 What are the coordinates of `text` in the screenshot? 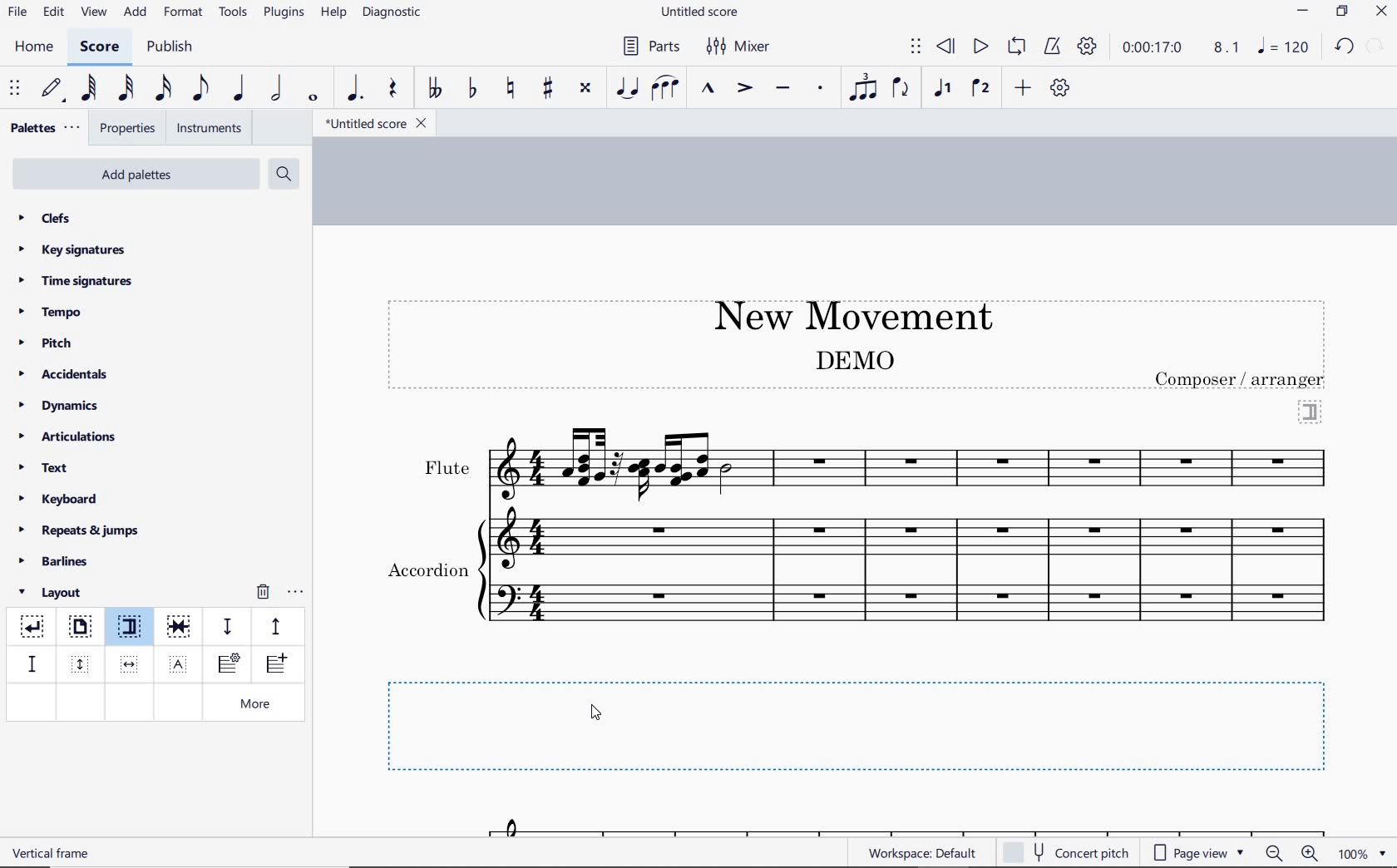 It's located at (1242, 379).